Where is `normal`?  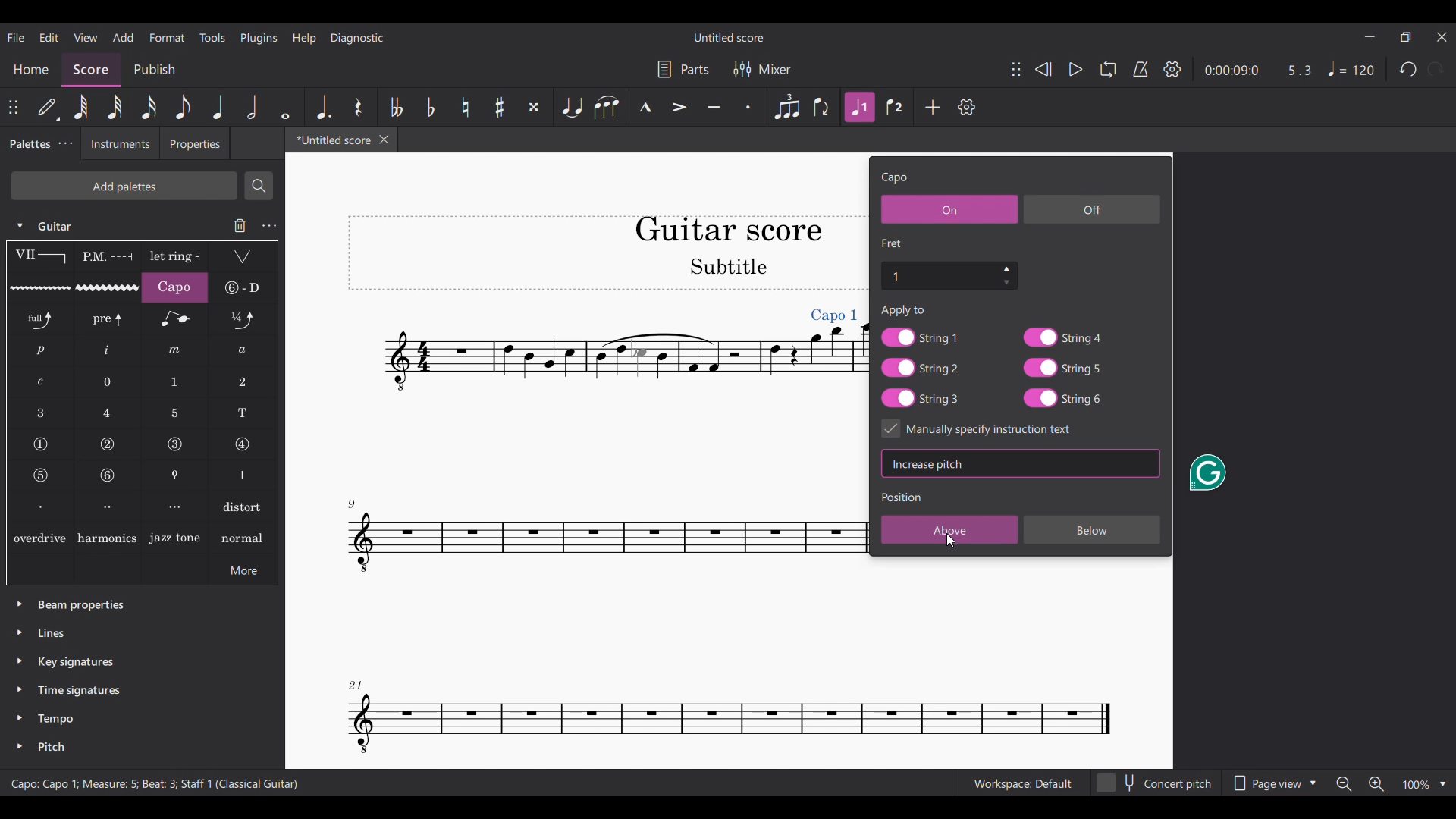 normal is located at coordinates (243, 537).